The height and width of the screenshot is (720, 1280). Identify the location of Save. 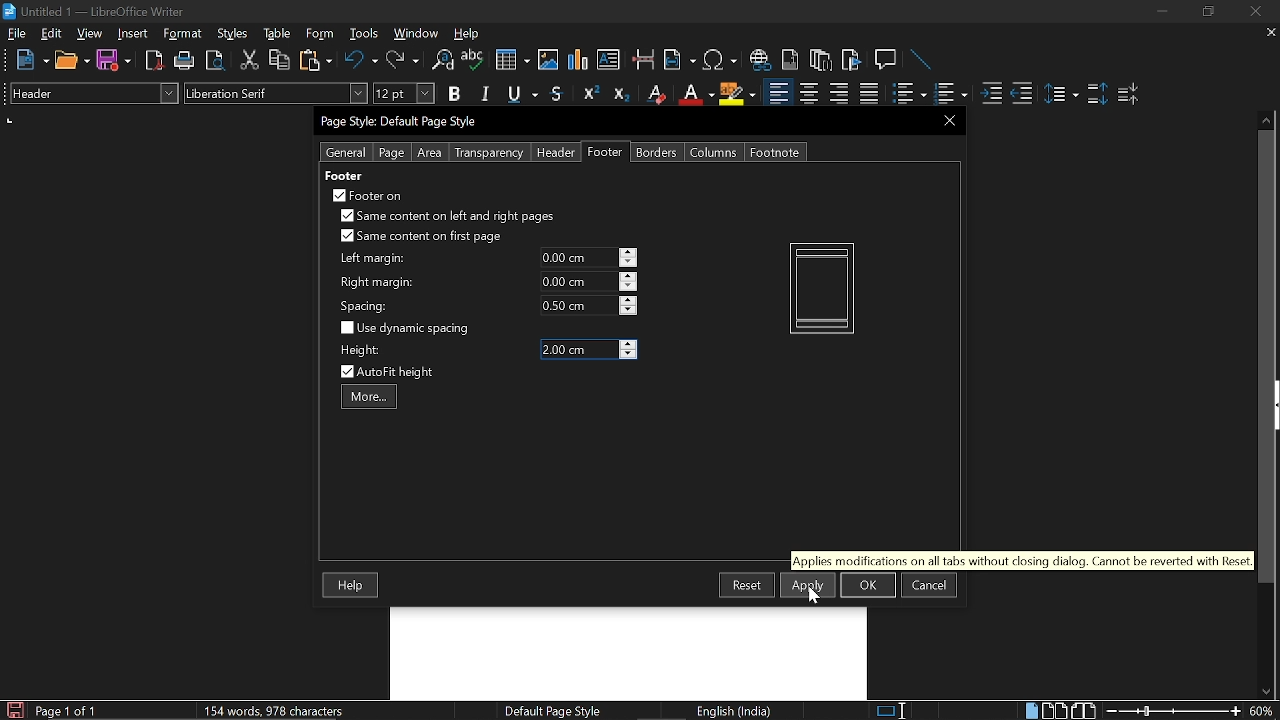
(114, 61).